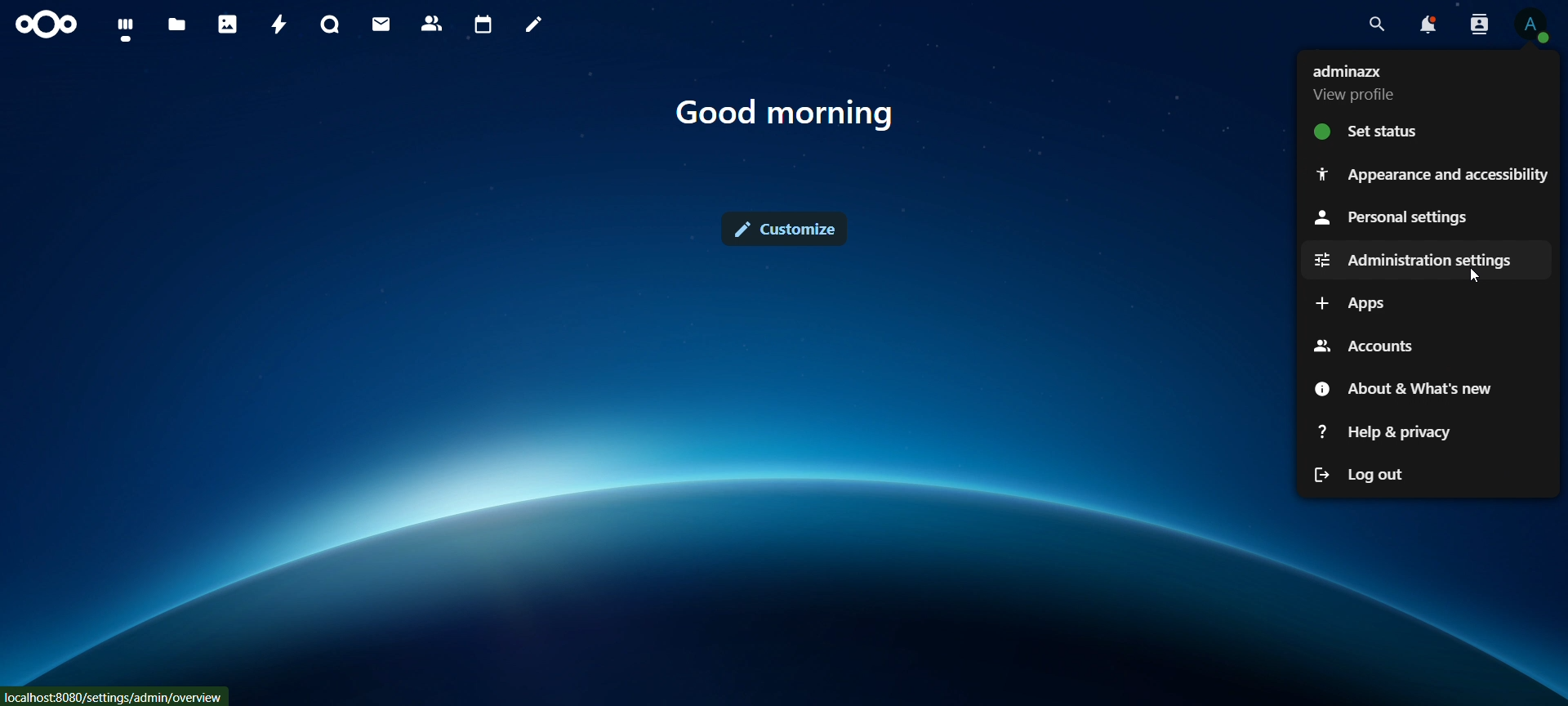  Describe the element at coordinates (1373, 25) in the screenshot. I see `search` at that location.